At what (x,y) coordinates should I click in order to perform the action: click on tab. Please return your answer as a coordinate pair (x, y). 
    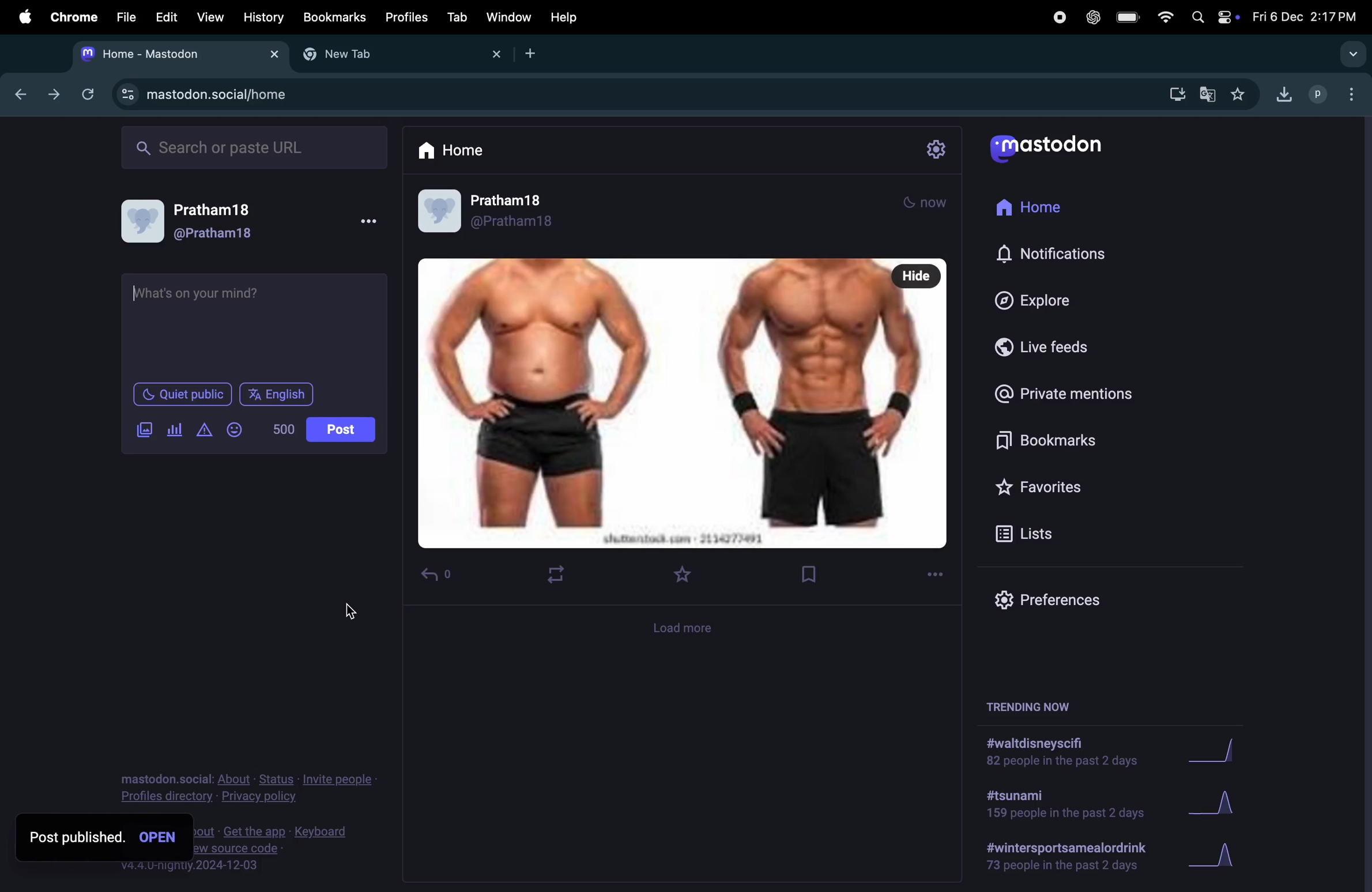
    Looking at the image, I should click on (455, 17).